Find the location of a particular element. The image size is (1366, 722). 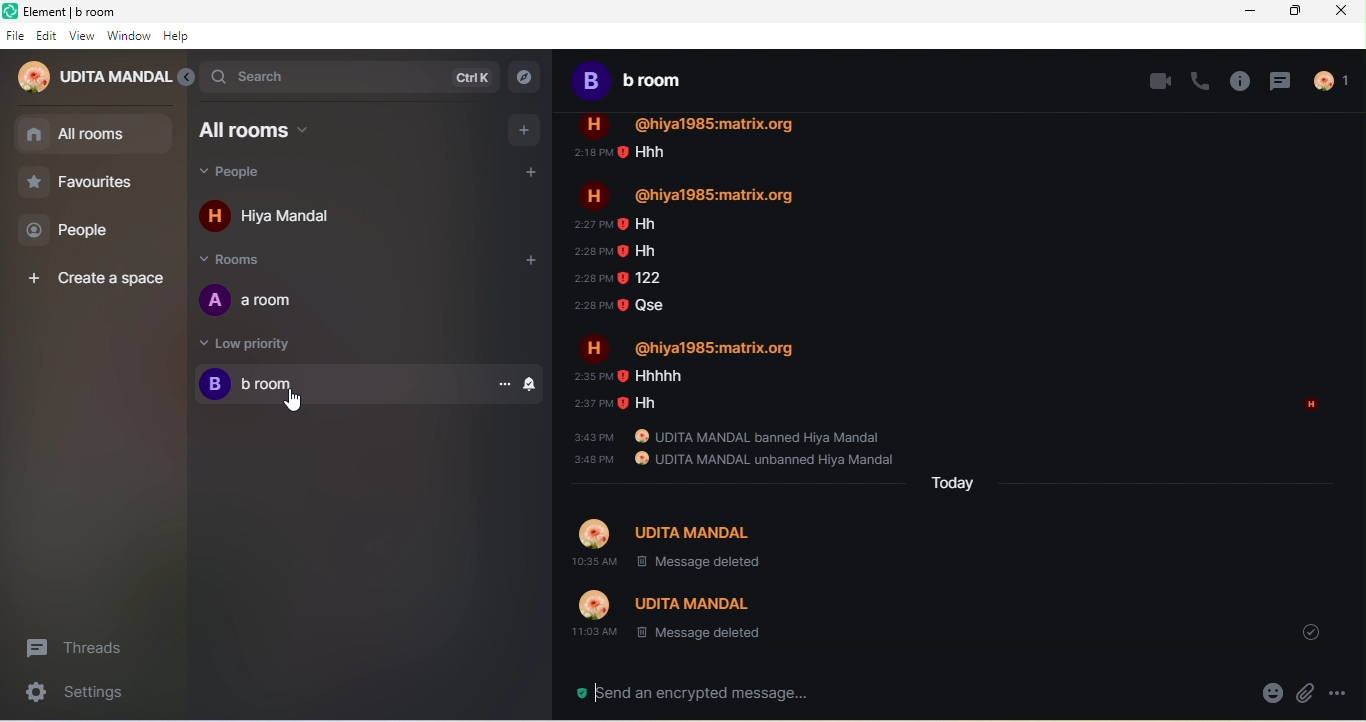

threads is located at coordinates (1283, 80).